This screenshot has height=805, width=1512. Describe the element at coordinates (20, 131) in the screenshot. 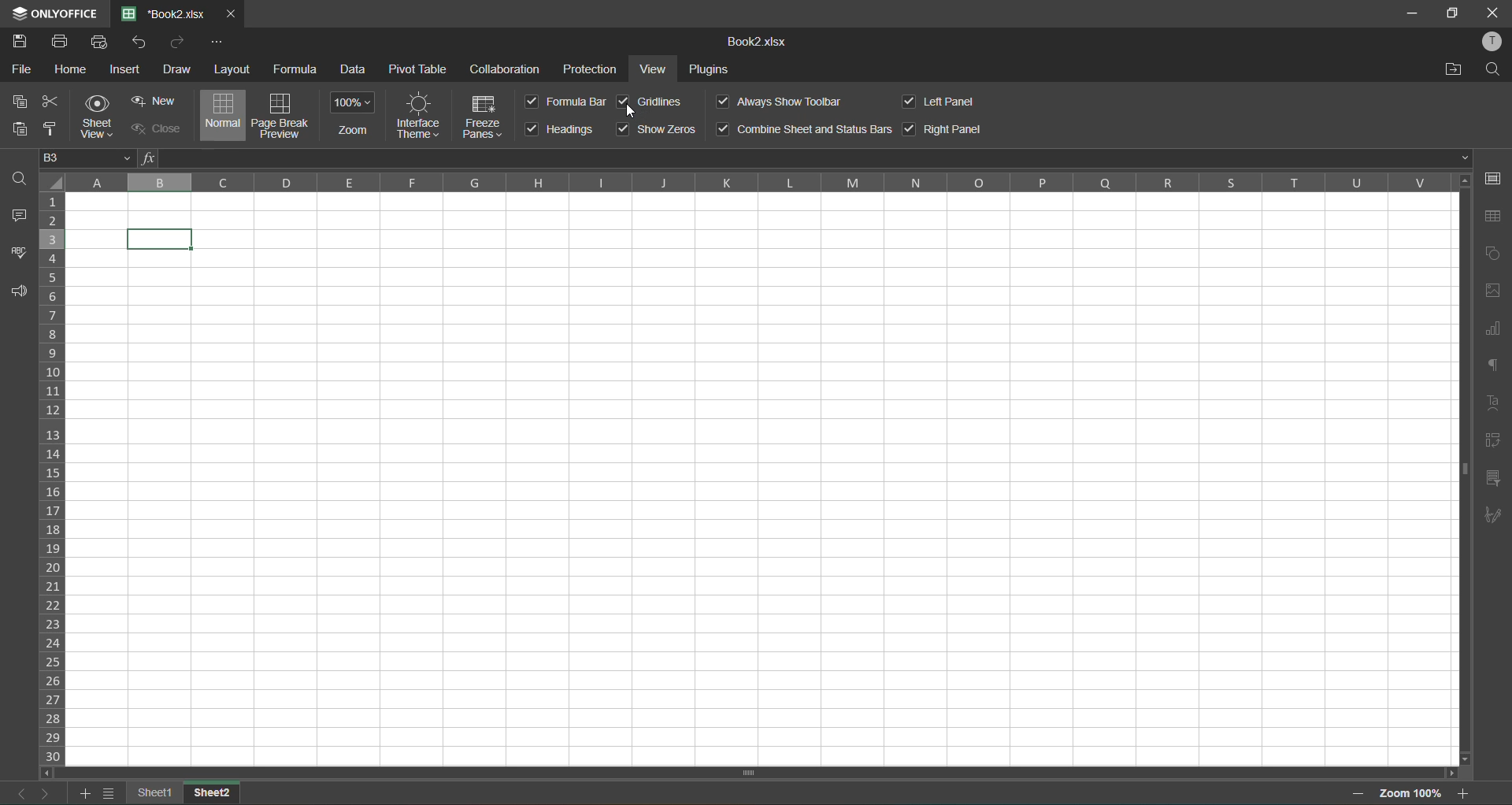

I see `paste` at that location.